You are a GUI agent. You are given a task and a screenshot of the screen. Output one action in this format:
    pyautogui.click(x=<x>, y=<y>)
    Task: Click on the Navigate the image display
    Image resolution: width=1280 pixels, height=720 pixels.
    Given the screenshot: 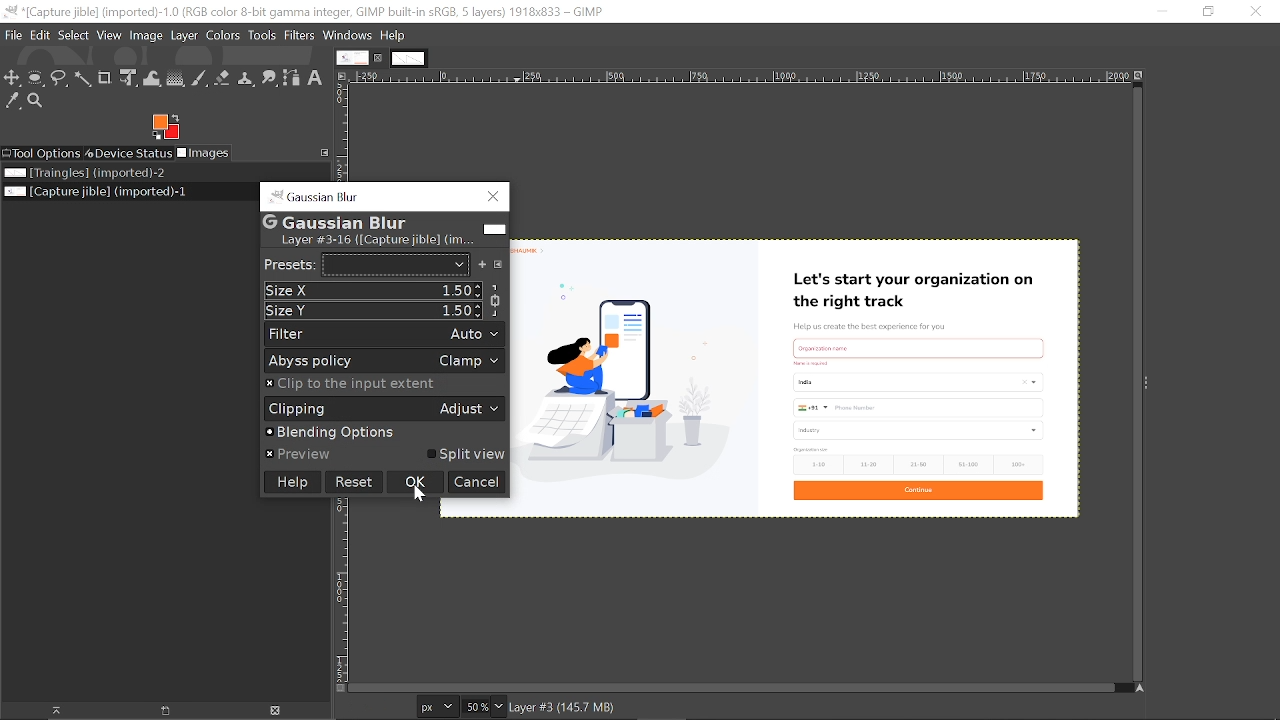 What is the action you would take?
    pyautogui.click(x=1140, y=691)
    